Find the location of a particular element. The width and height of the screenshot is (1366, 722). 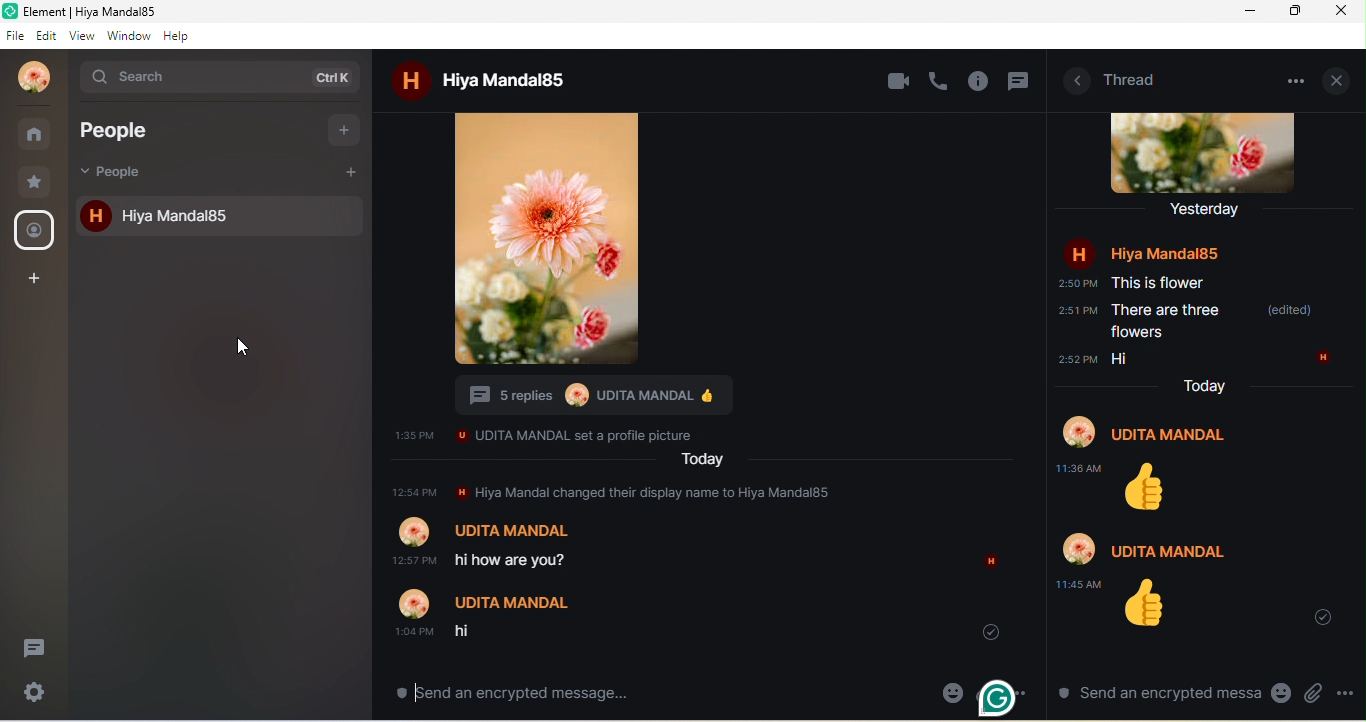

hiya mandal85 is located at coordinates (240, 215).